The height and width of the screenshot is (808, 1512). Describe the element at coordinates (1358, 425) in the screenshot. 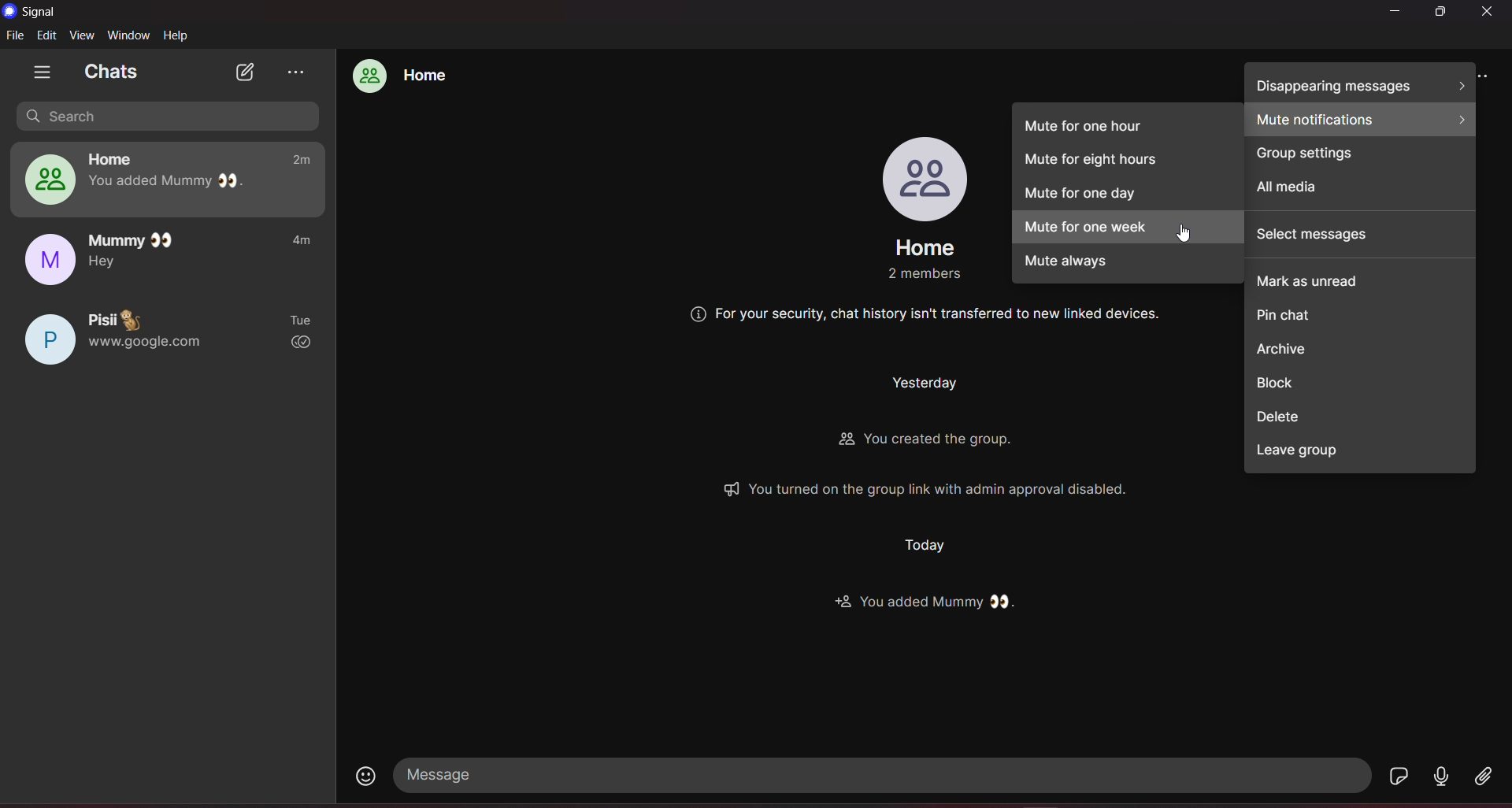

I see `delete` at that location.